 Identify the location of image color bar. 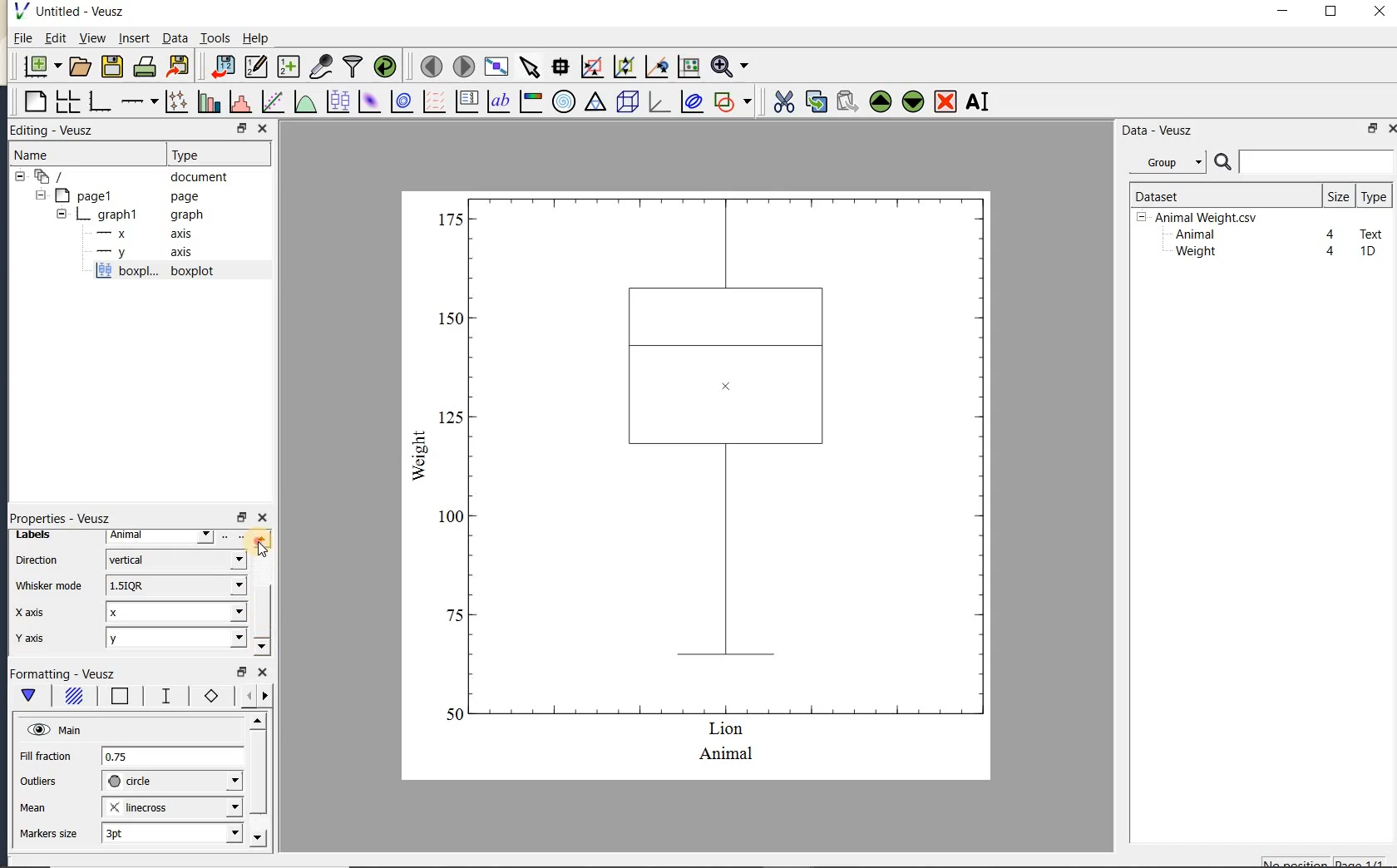
(531, 101).